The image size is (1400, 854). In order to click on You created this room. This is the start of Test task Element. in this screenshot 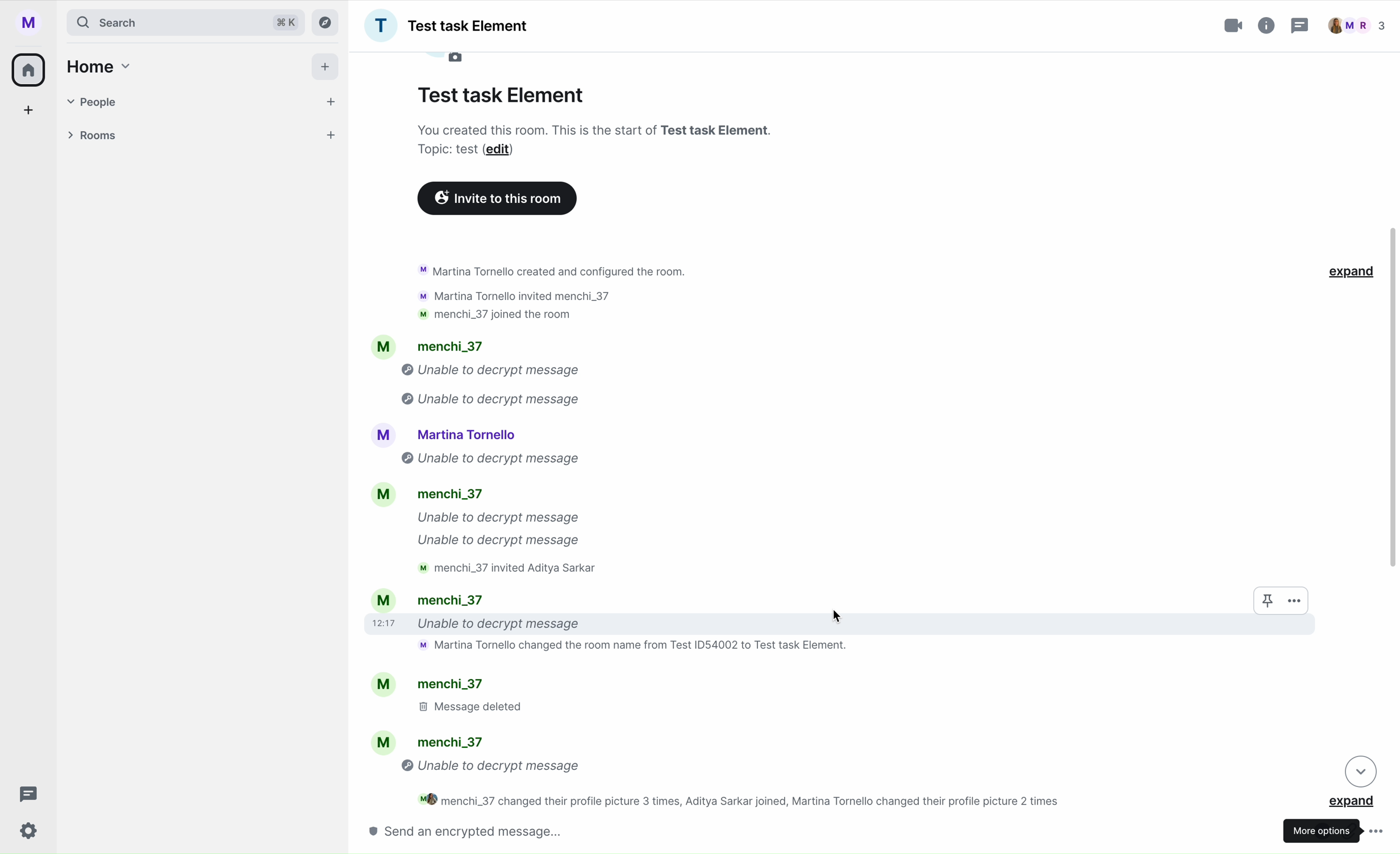, I will do `click(581, 130)`.